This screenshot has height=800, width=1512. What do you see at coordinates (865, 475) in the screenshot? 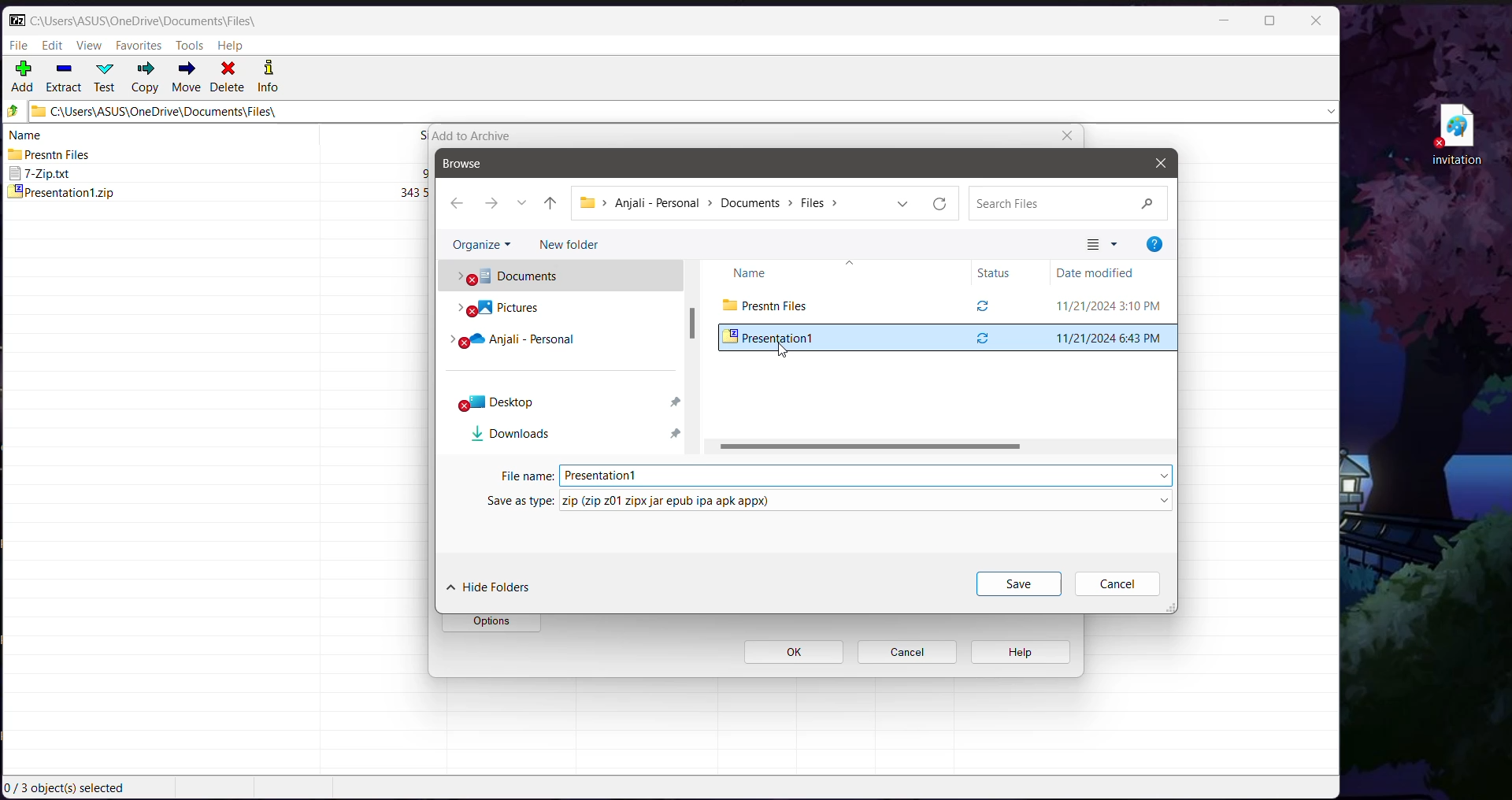
I see `Set the File Name` at bounding box center [865, 475].